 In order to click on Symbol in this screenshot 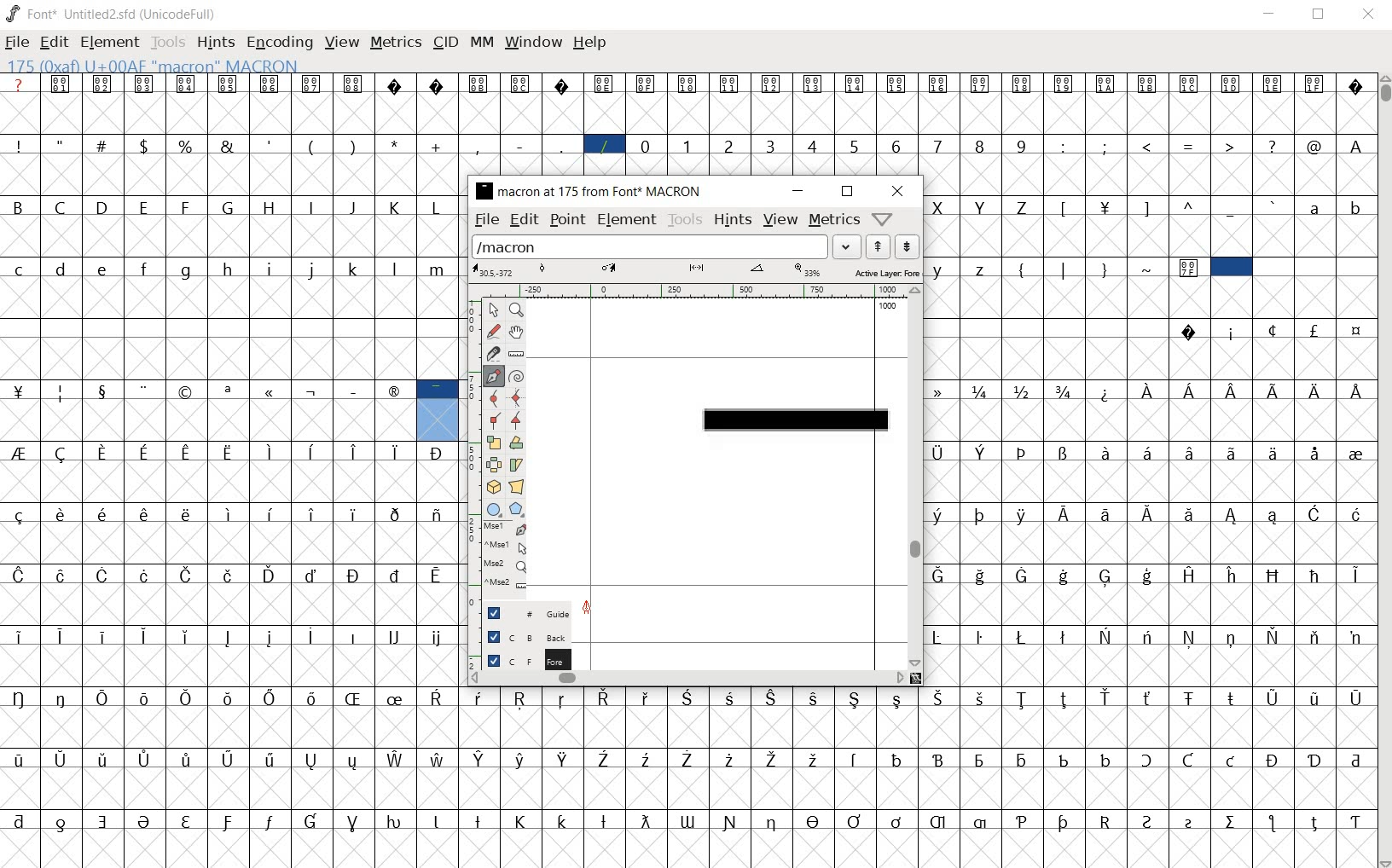, I will do `click(731, 823)`.